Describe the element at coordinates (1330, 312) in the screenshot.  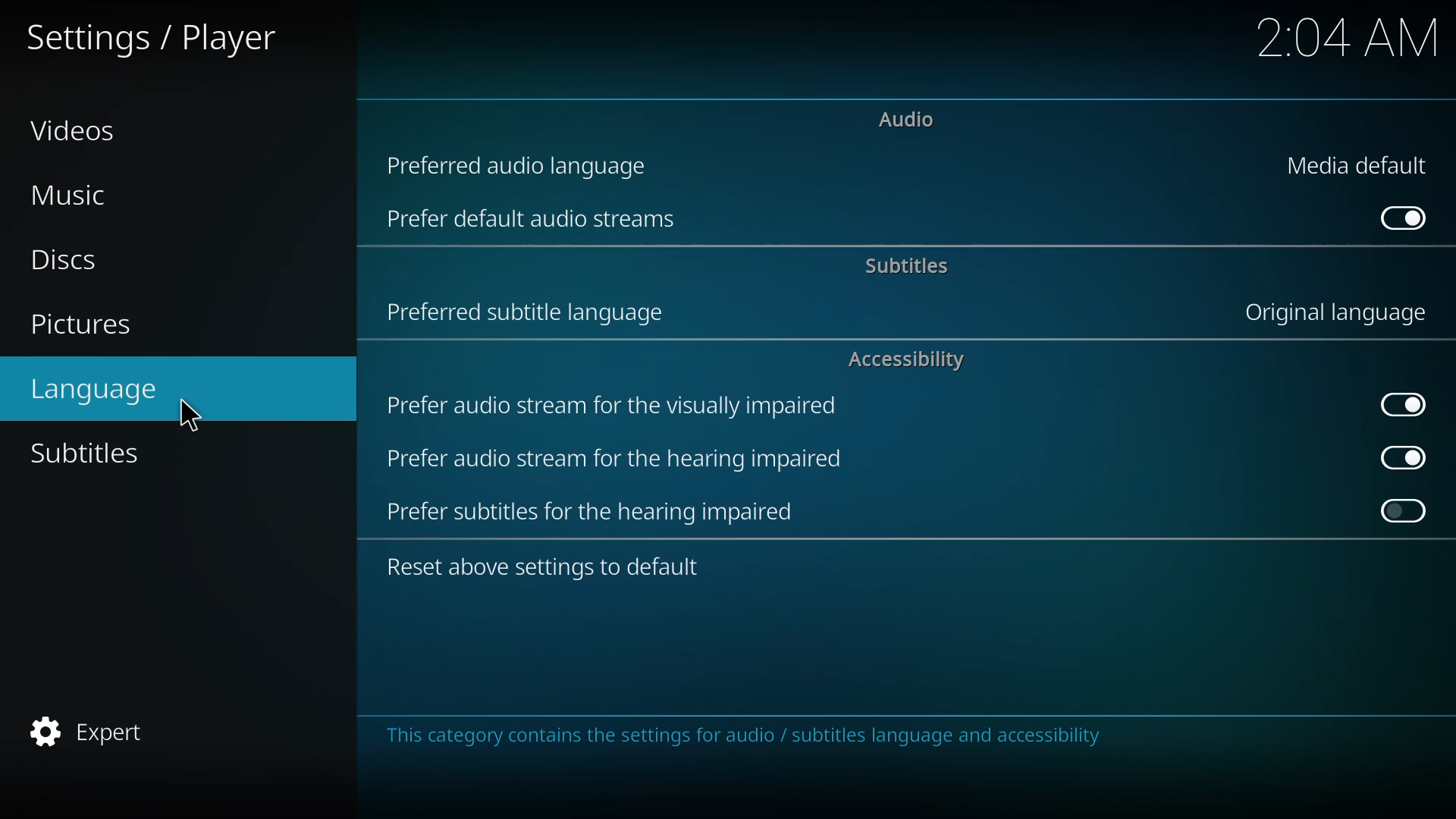
I see `original language` at that location.